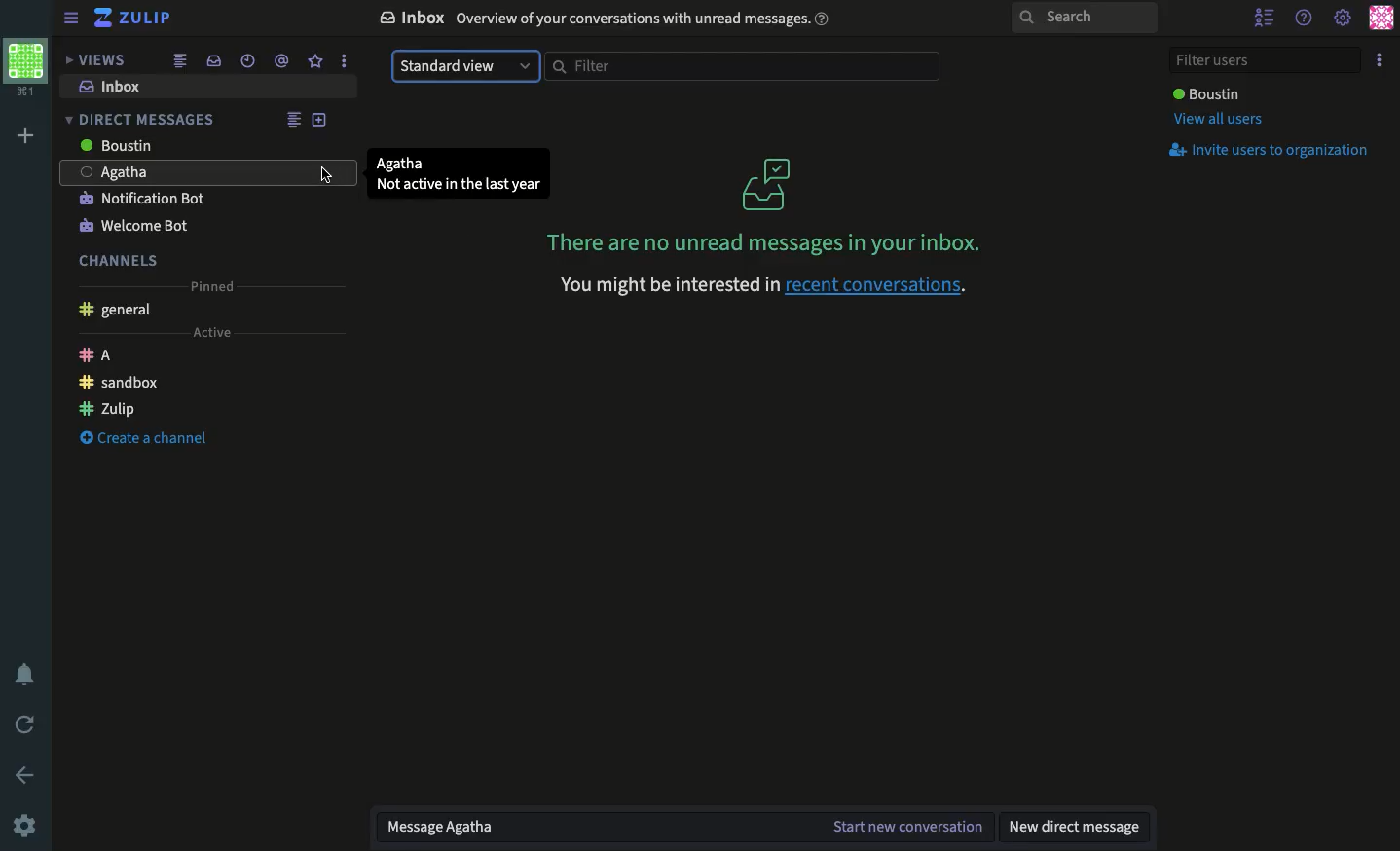 The image size is (1400, 851). What do you see at coordinates (607, 17) in the screenshot?
I see `Inbox` at bounding box center [607, 17].